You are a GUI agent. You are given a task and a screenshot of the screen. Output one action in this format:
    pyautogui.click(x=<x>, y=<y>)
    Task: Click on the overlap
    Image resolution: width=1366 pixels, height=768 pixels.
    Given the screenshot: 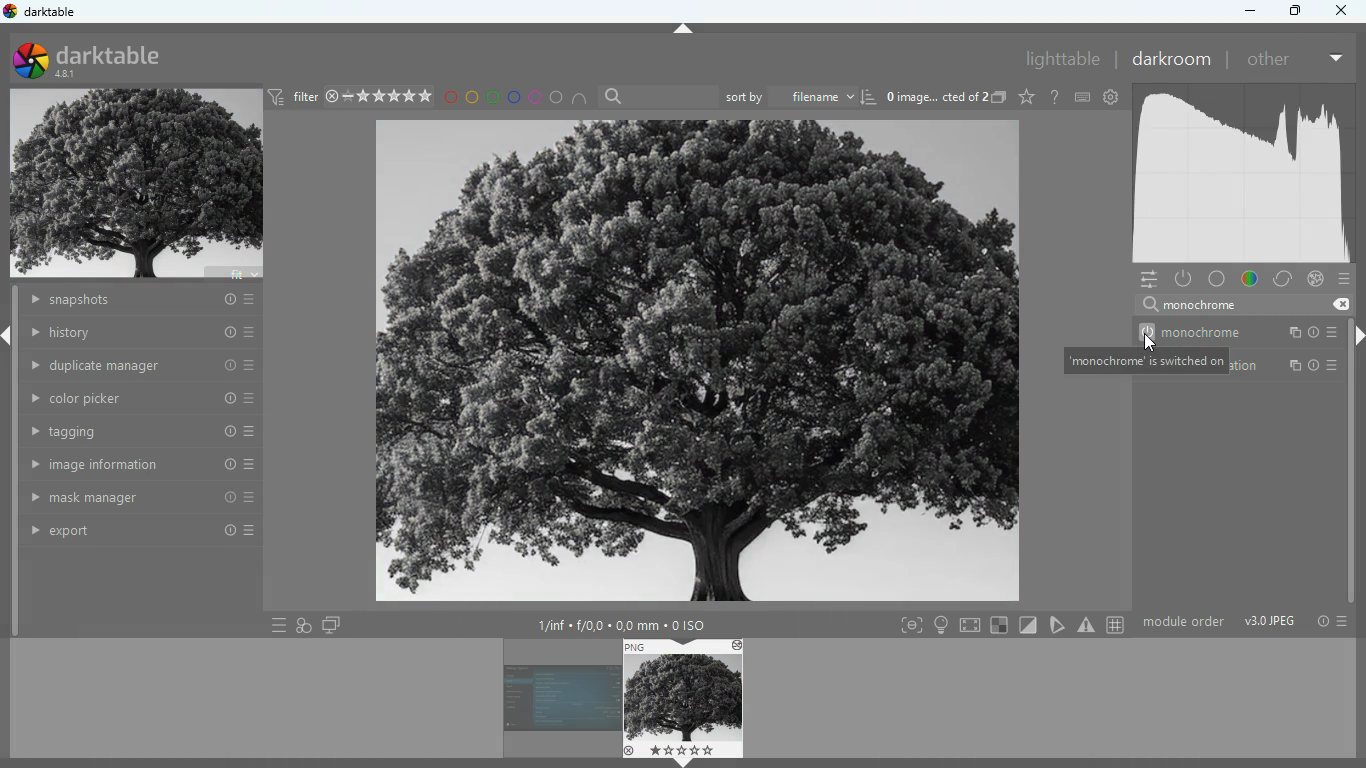 What is the action you would take?
    pyautogui.click(x=306, y=626)
    